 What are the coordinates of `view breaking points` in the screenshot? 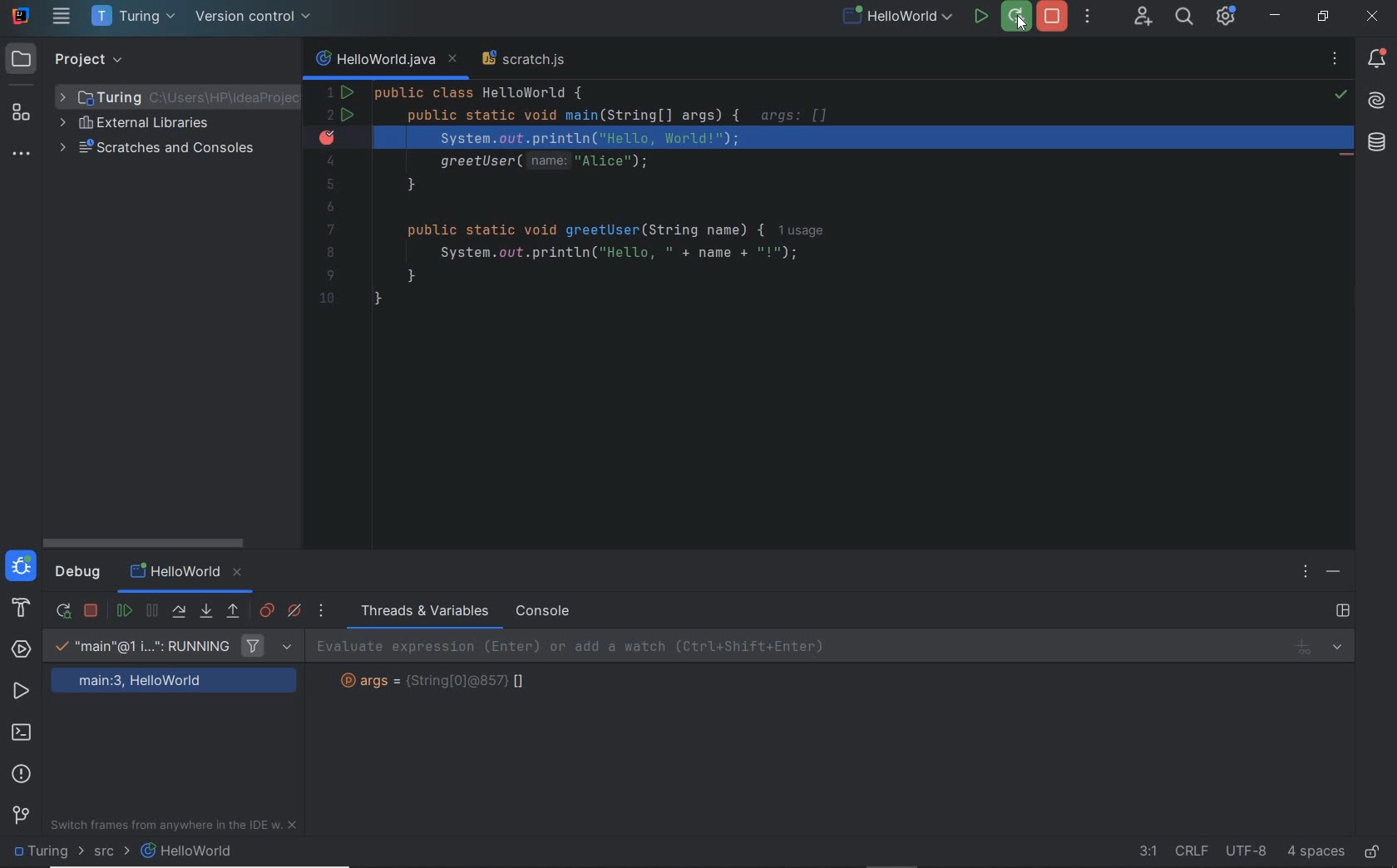 It's located at (267, 610).